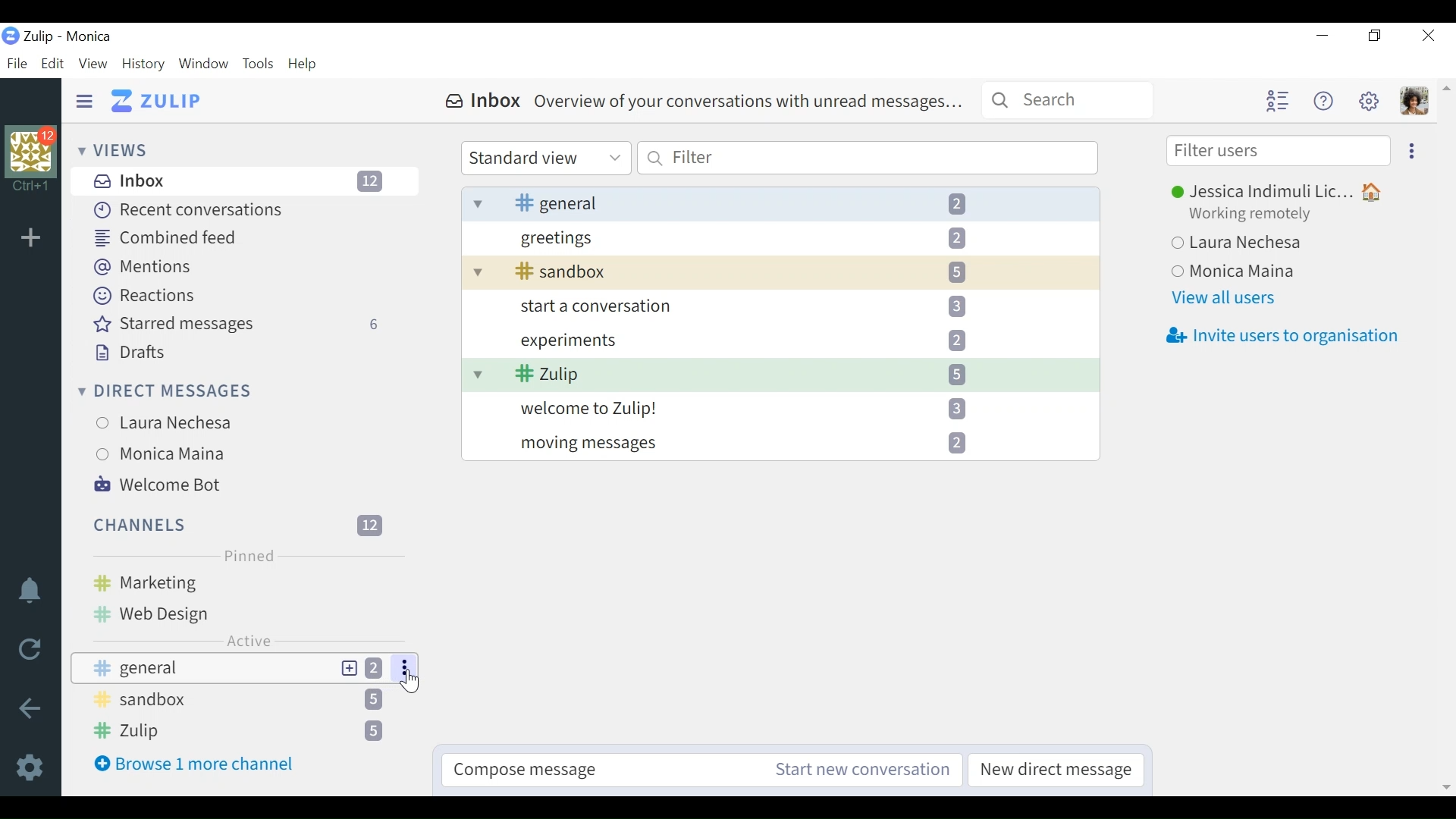  Describe the element at coordinates (249, 640) in the screenshot. I see `Active` at that location.